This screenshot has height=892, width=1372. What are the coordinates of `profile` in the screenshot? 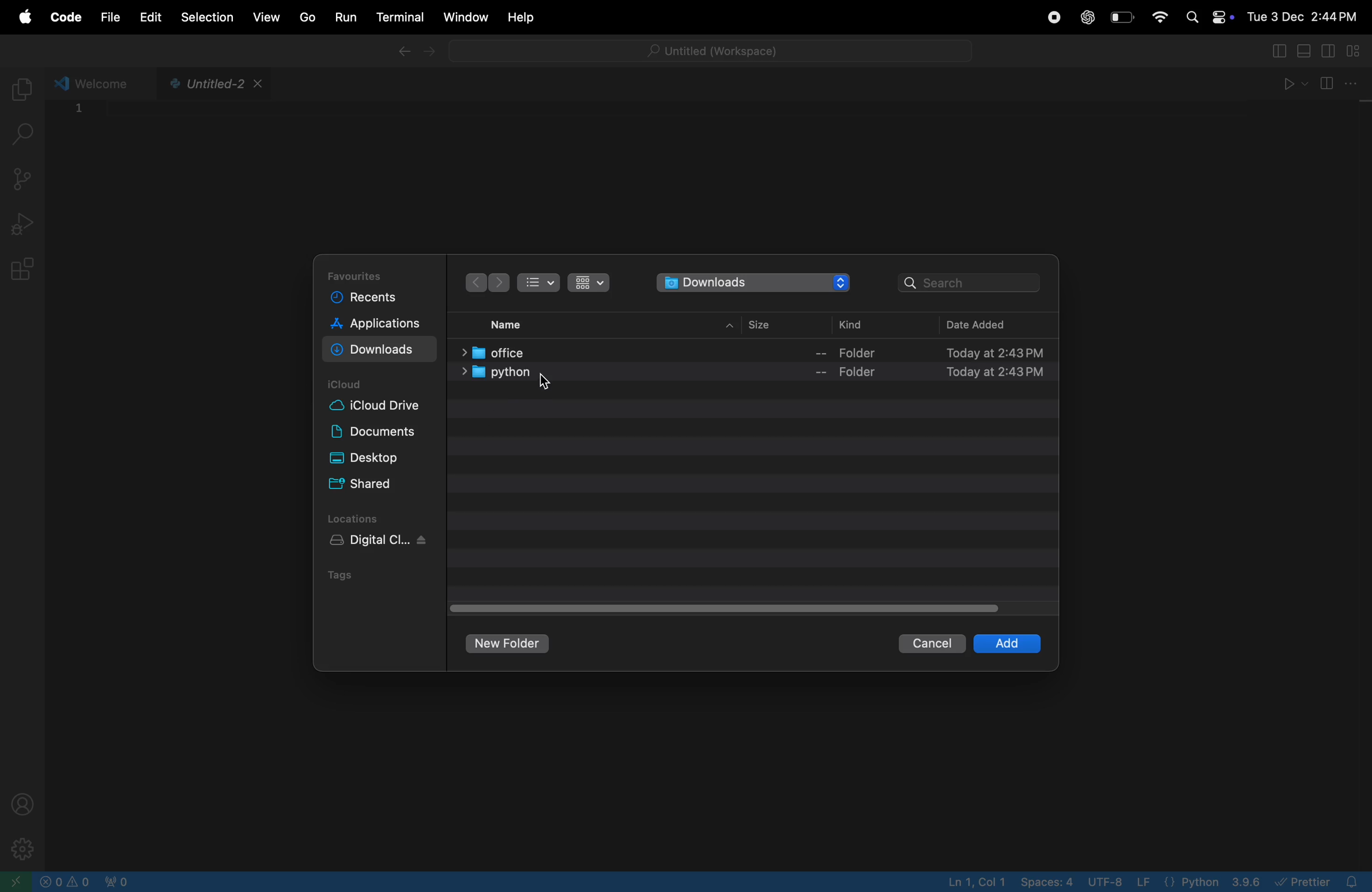 It's located at (23, 802).